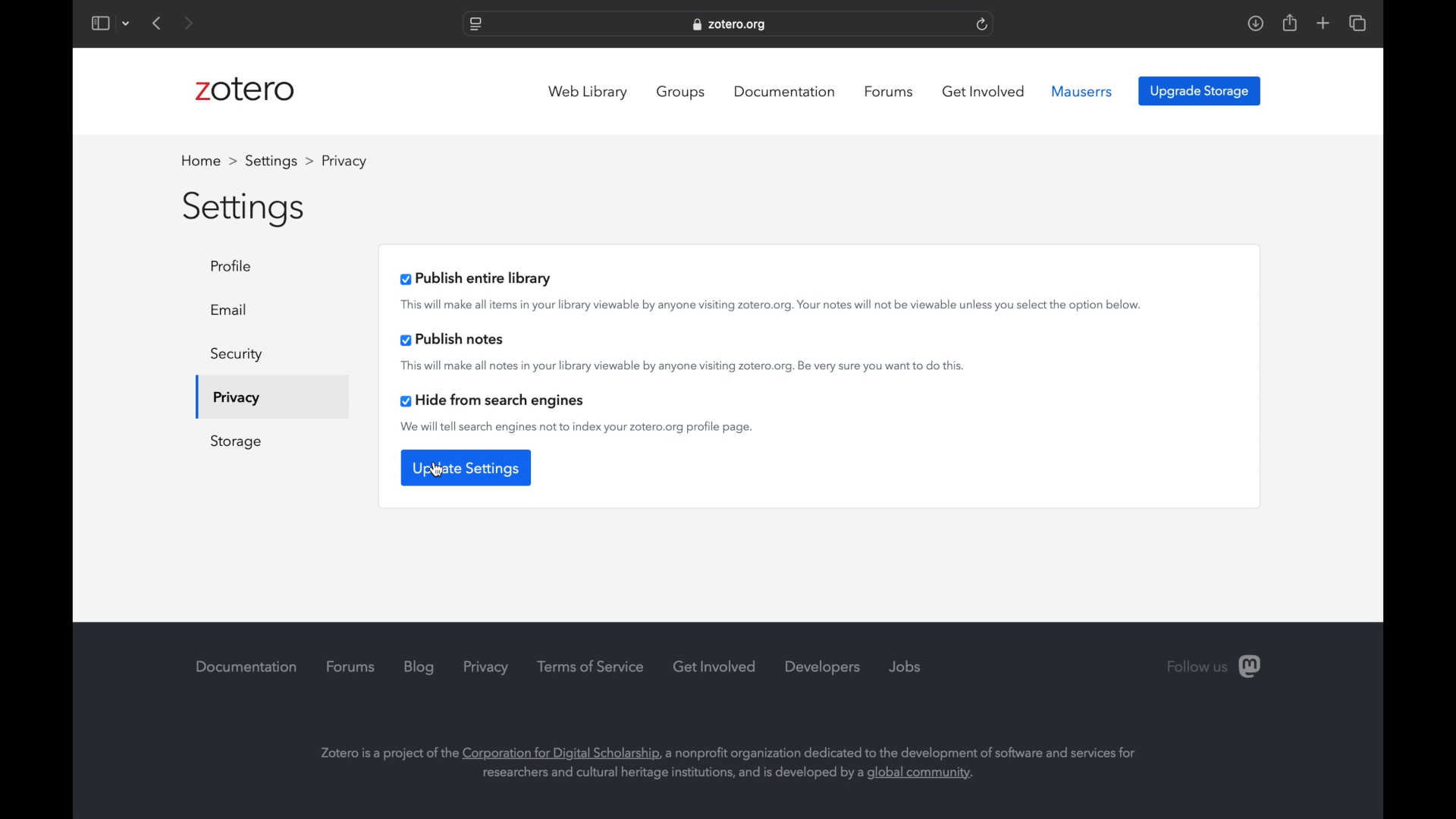  Describe the element at coordinates (578, 428) in the screenshot. I see `we will tell search engines not to index your zotero.org profile page` at that location.